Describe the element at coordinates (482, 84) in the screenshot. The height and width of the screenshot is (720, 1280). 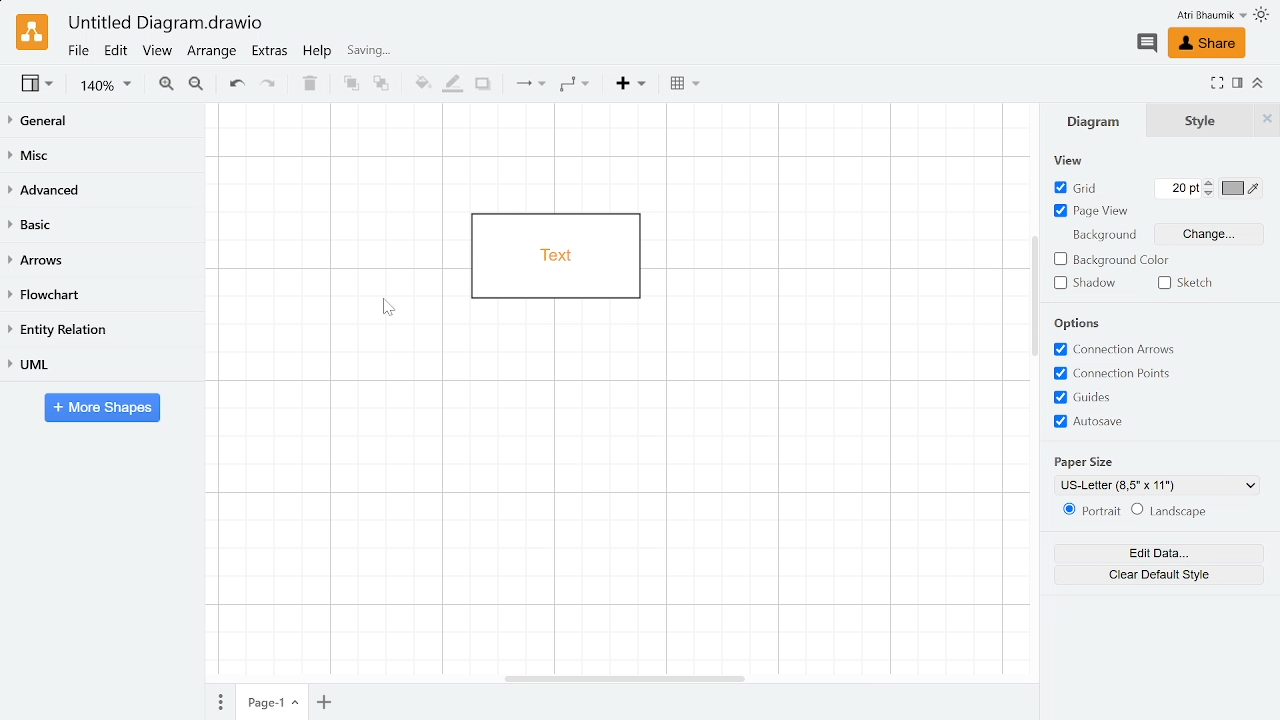
I see `Shadow` at that location.